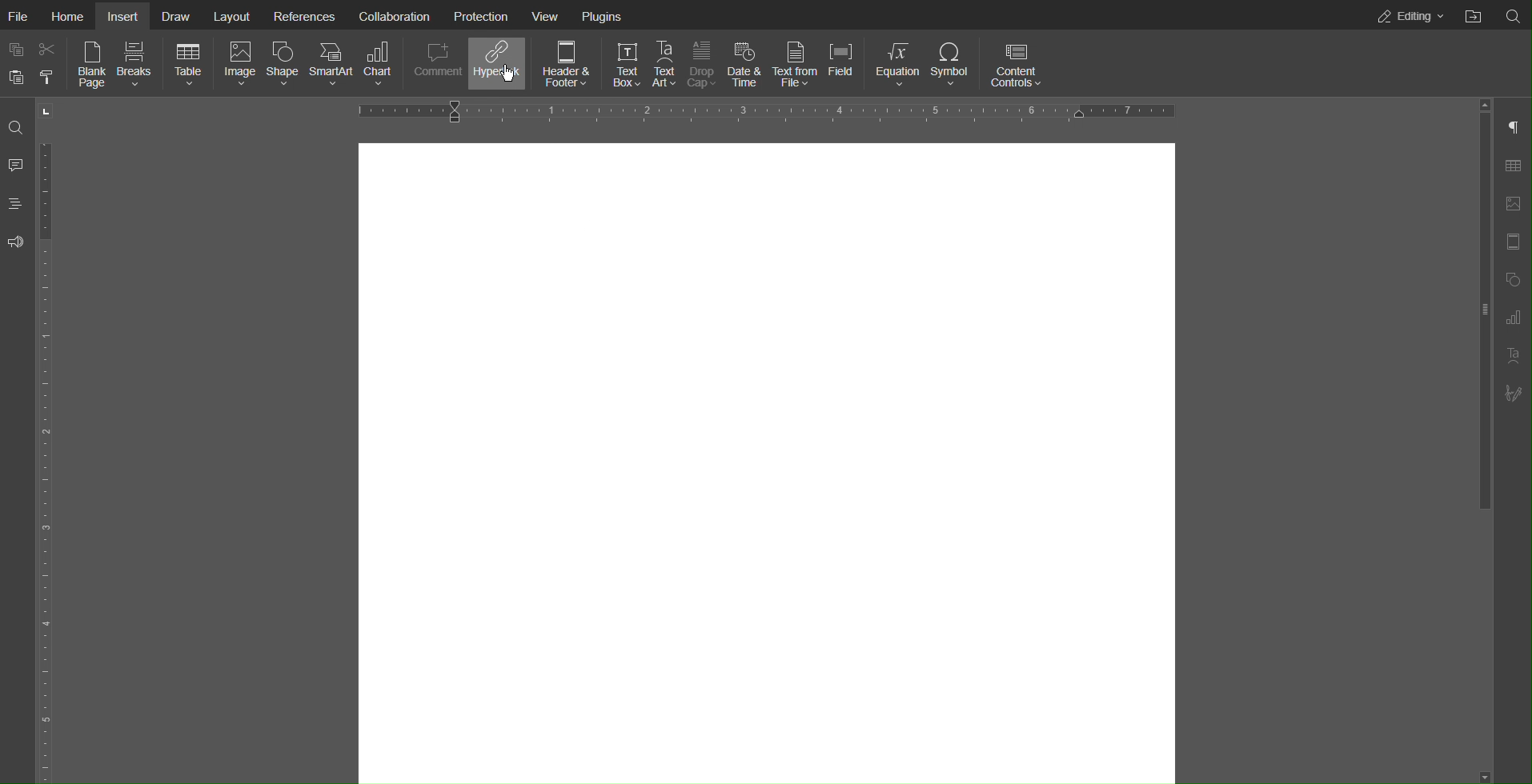 Image resolution: width=1532 pixels, height=784 pixels. Describe the element at coordinates (1477, 338) in the screenshot. I see `slider` at that location.